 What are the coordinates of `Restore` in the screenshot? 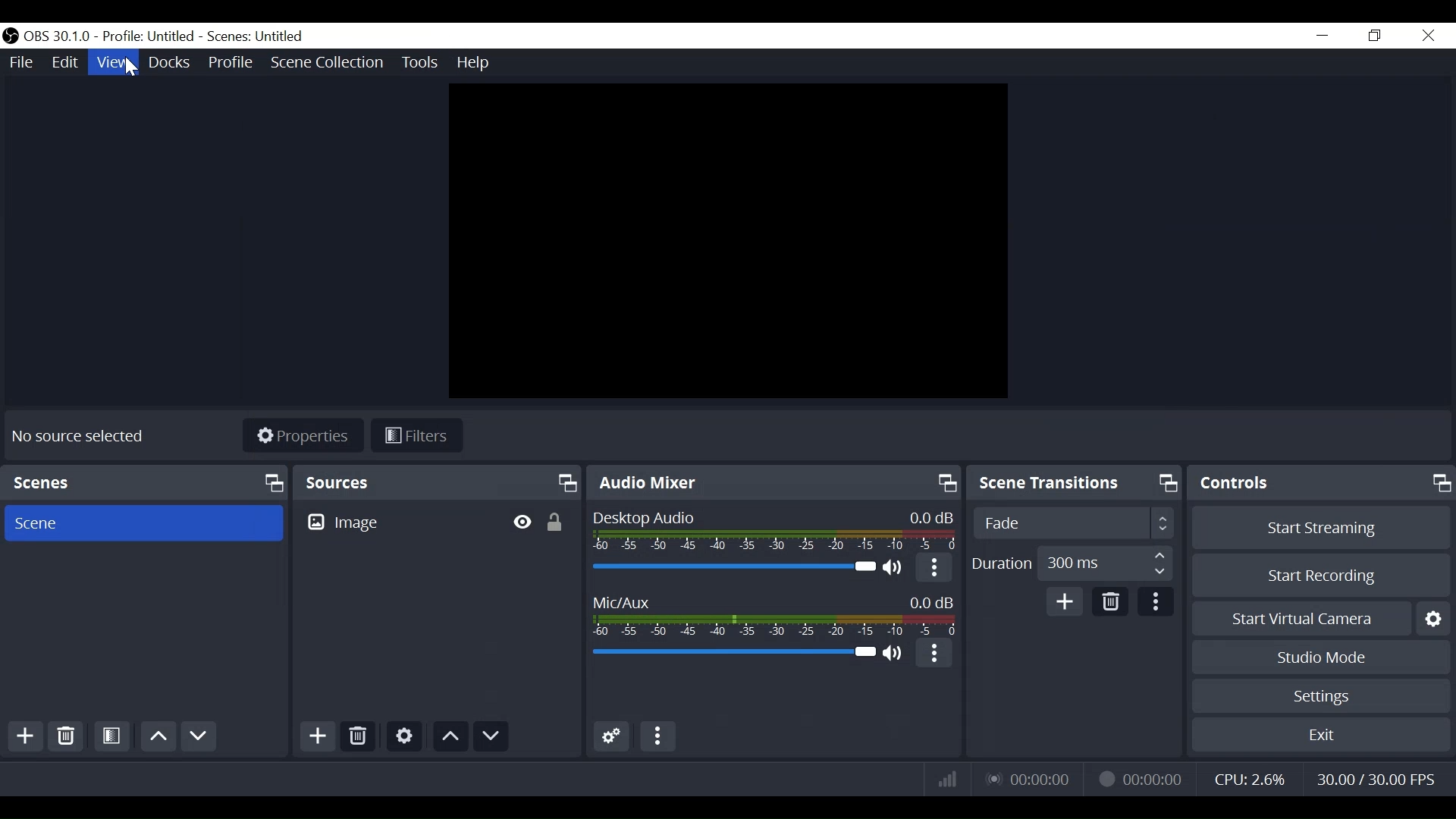 It's located at (1376, 36).